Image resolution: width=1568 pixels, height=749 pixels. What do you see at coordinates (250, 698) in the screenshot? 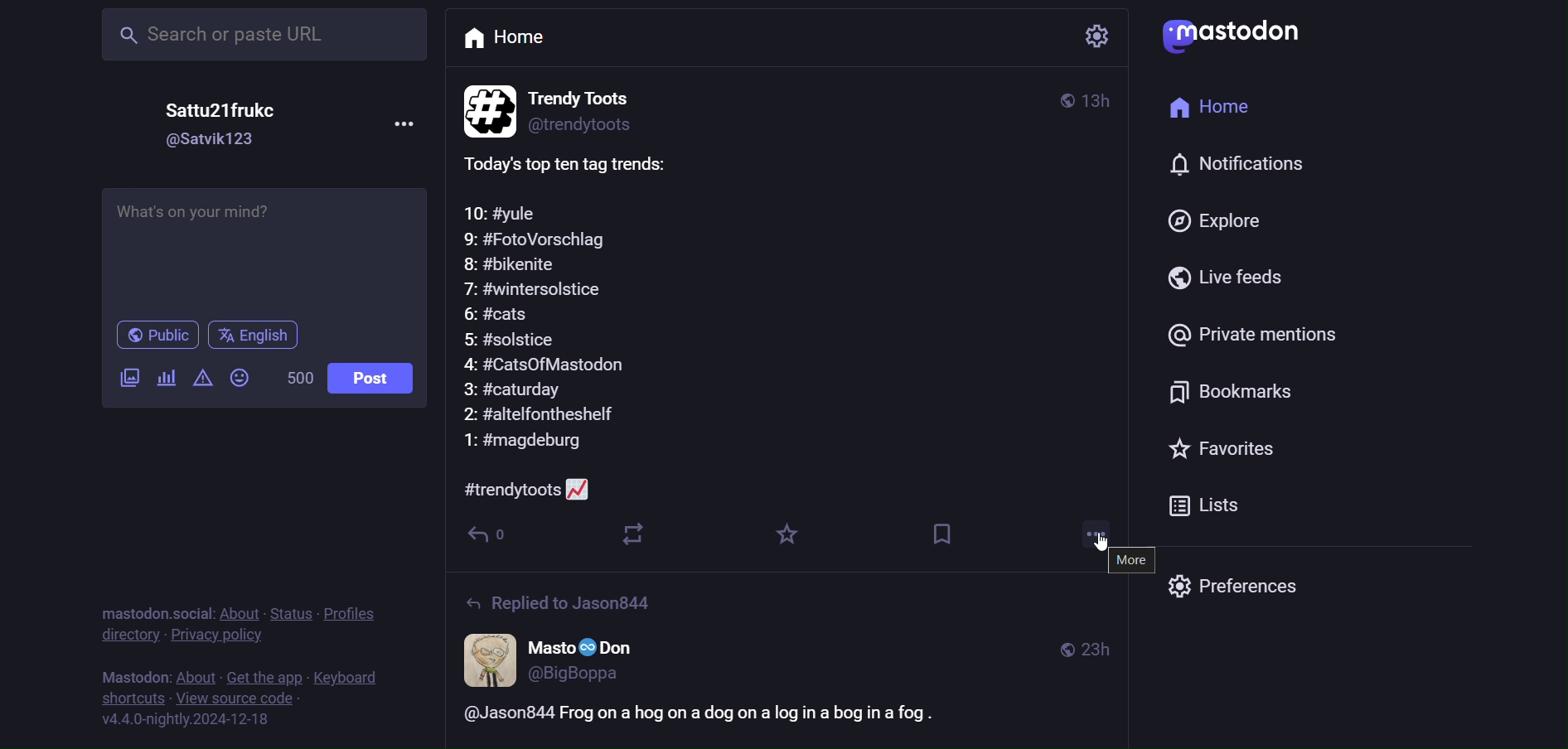
I see `view source code` at bounding box center [250, 698].